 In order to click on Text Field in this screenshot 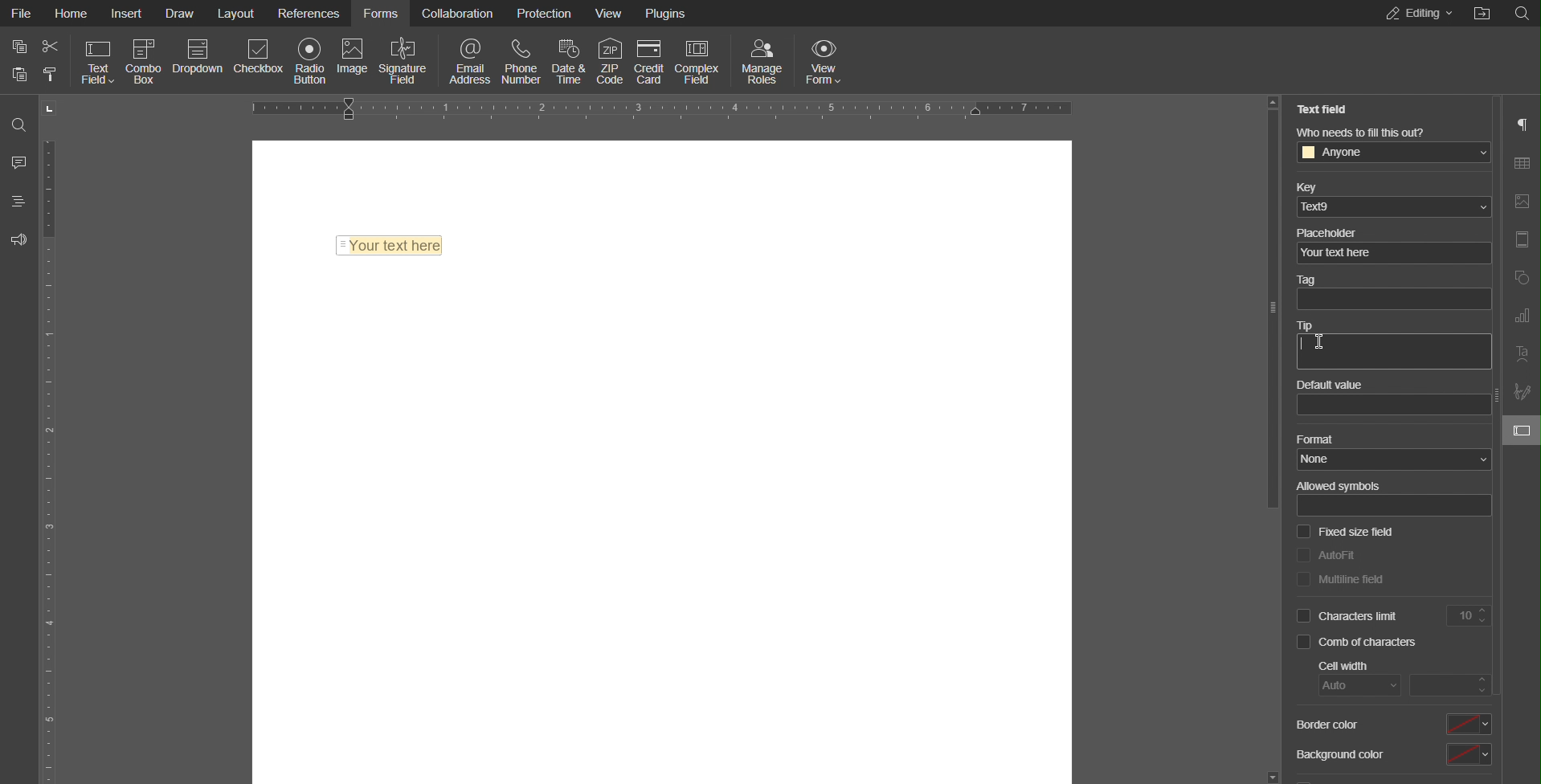, I will do `click(1321, 108)`.